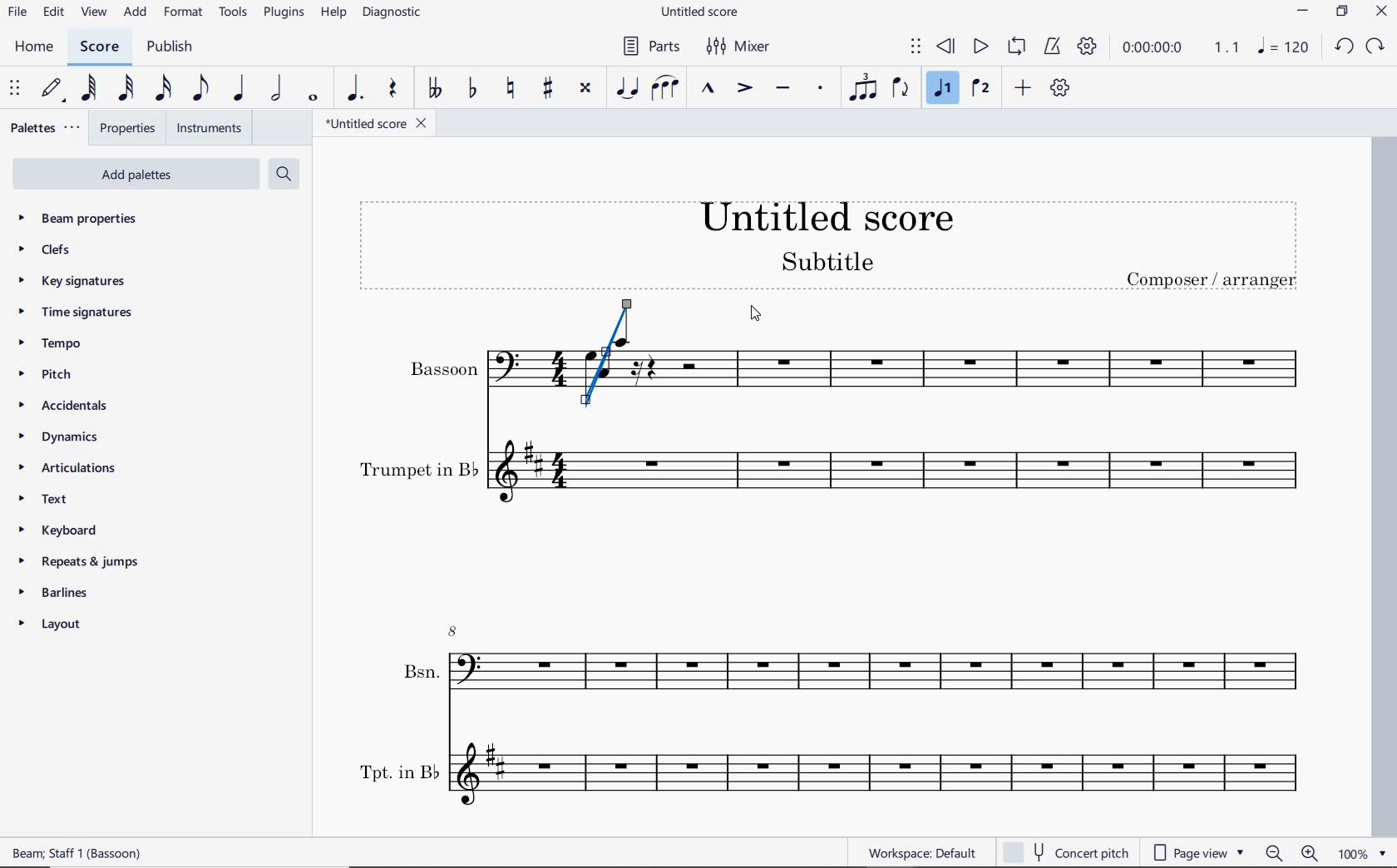 The height and width of the screenshot is (868, 1397). I want to click on Trumpet in B, so click(840, 483).